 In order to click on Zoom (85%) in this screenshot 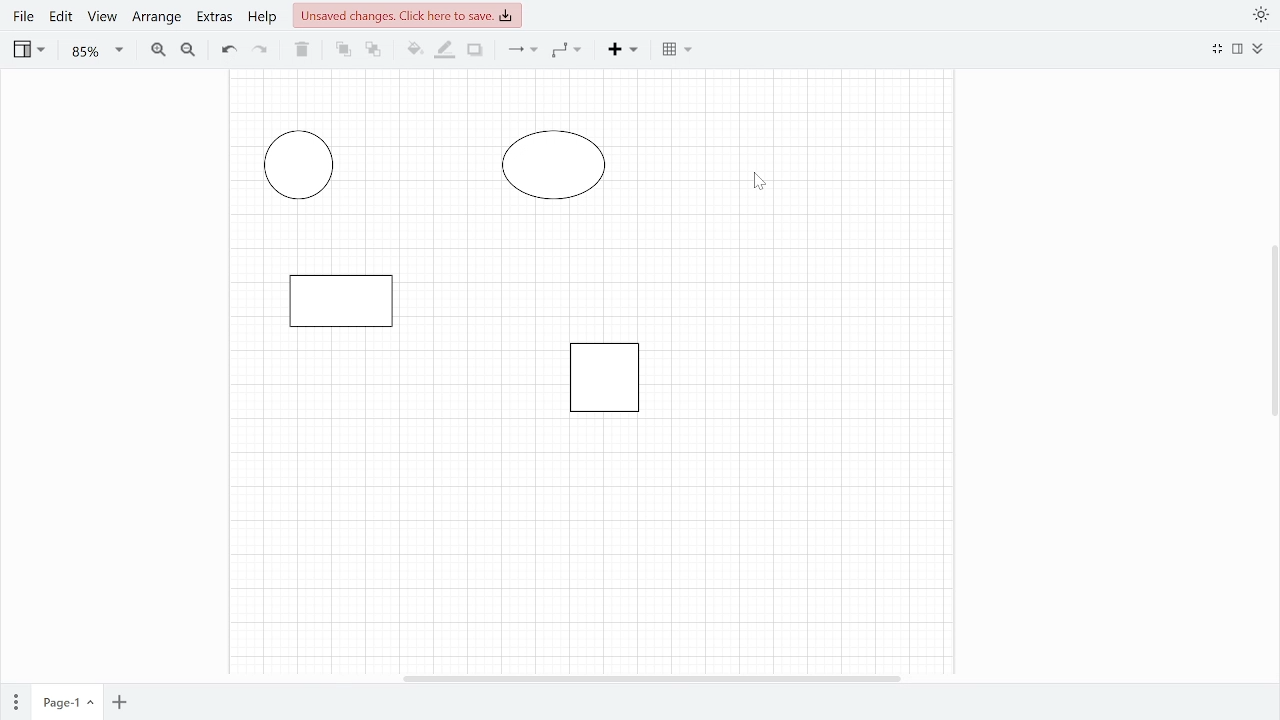, I will do `click(97, 52)`.